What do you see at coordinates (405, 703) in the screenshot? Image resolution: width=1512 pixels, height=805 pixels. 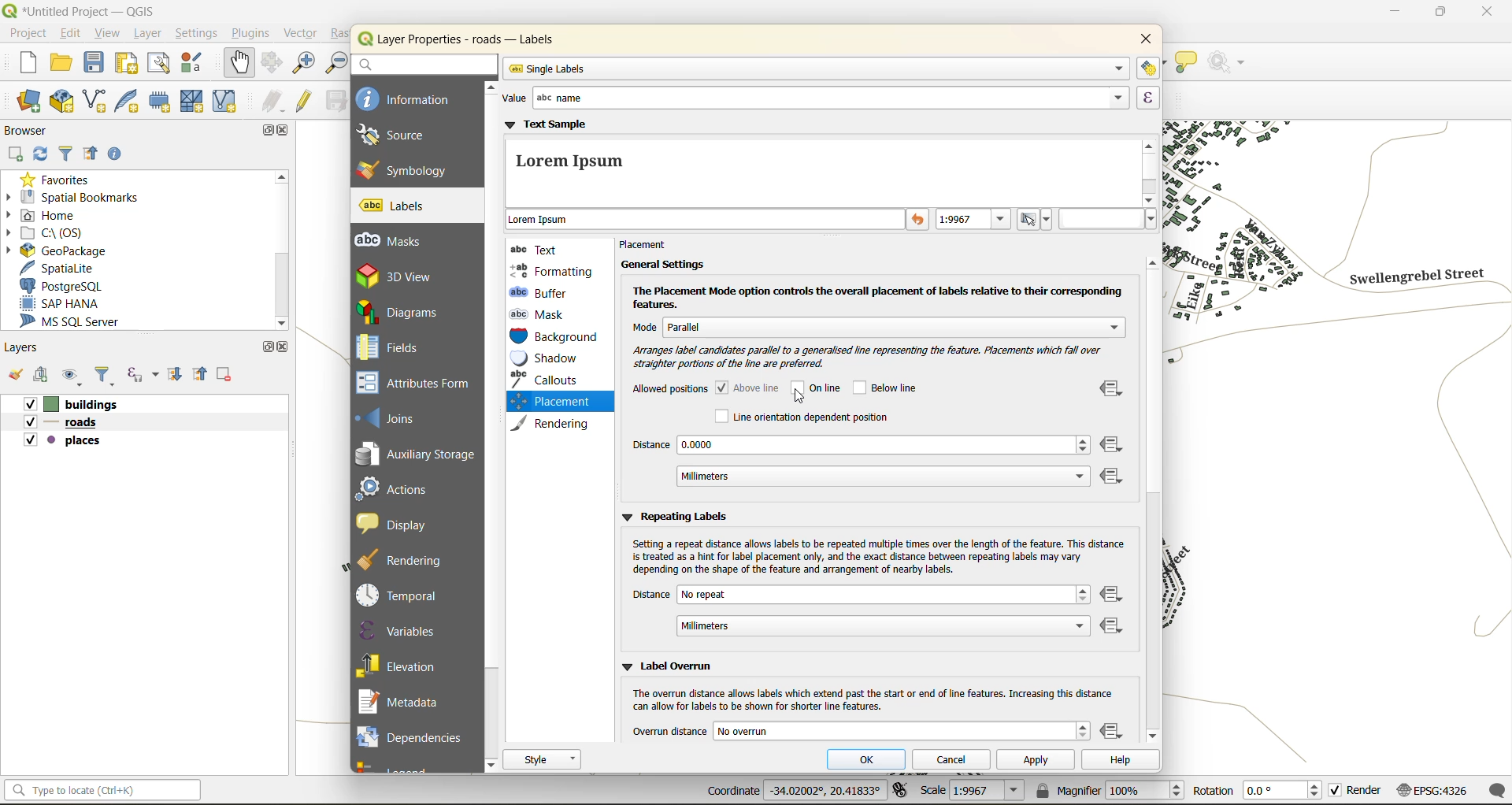 I see `metadata` at bounding box center [405, 703].